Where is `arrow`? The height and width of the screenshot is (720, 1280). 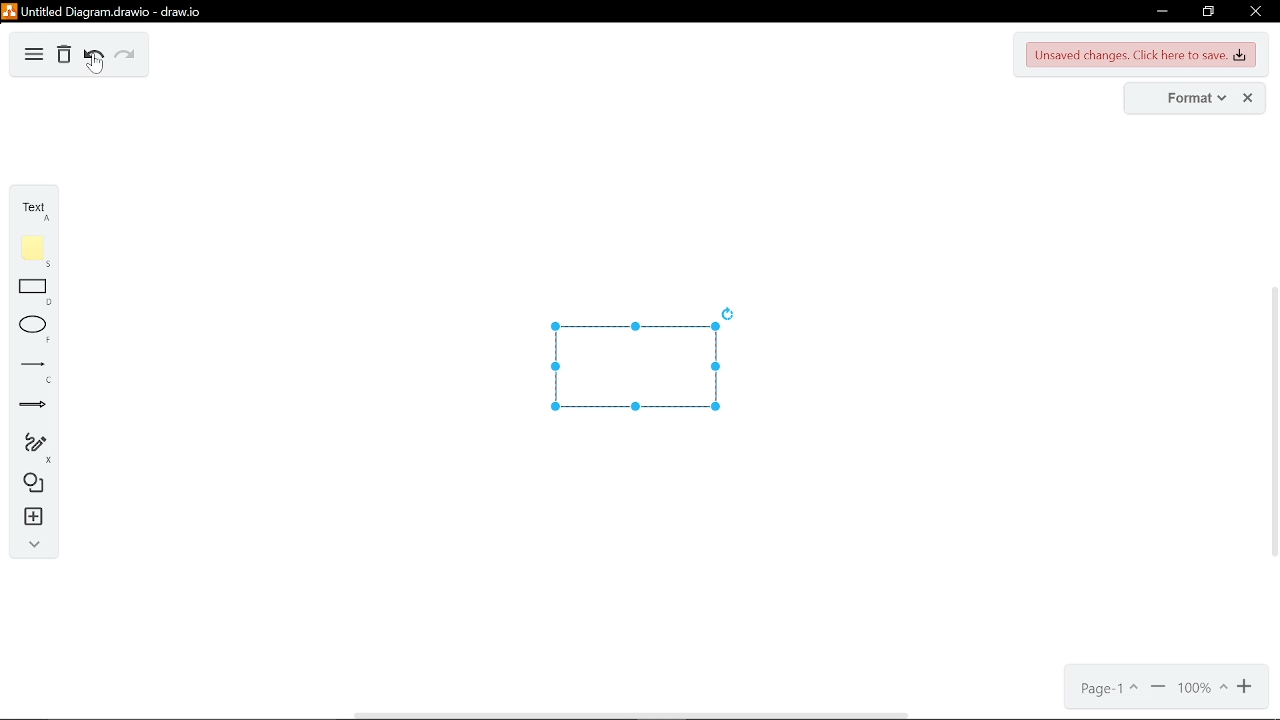 arrow is located at coordinates (38, 409).